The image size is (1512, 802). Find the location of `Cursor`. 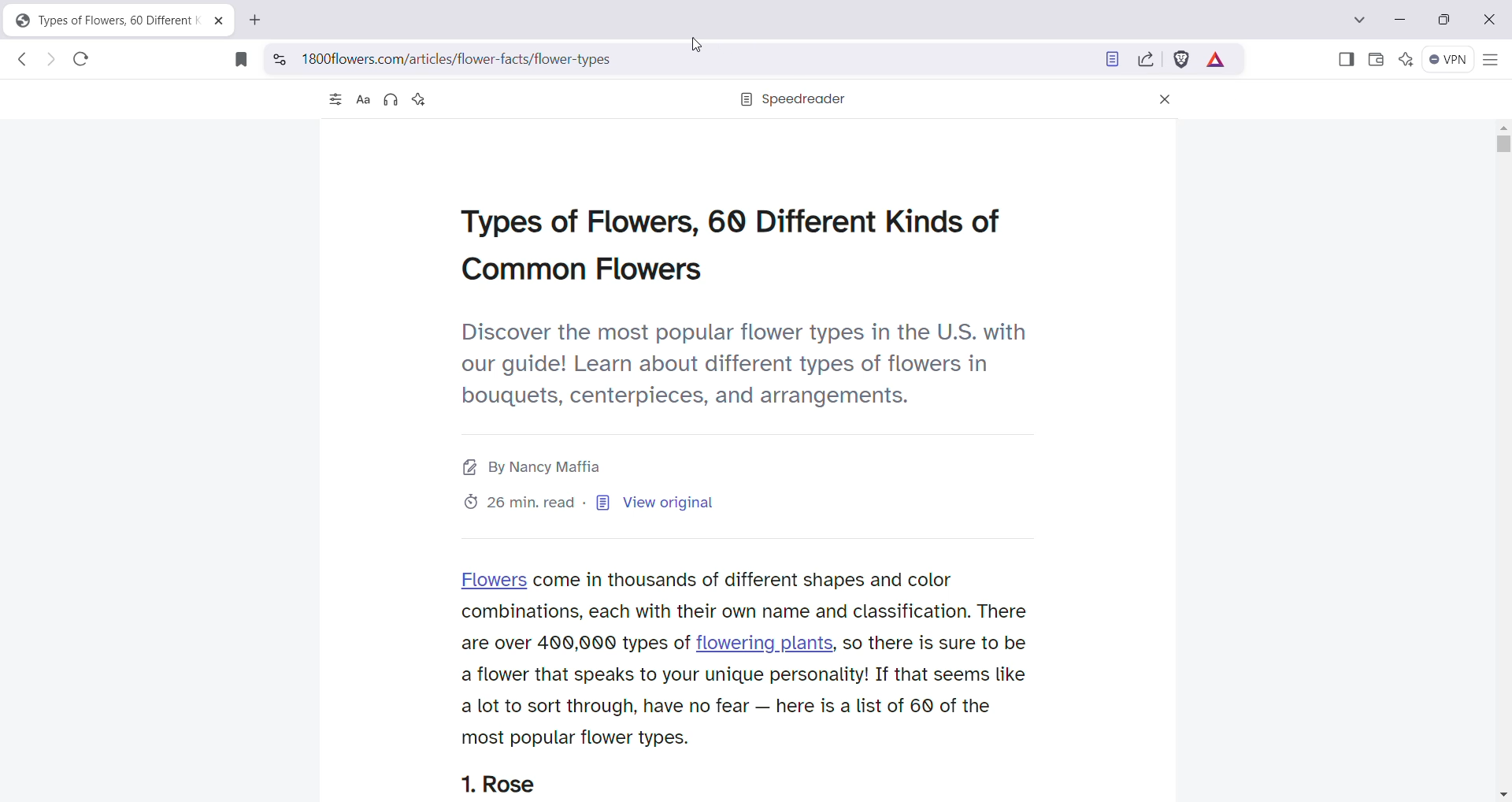

Cursor is located at coordinates (696, 47).